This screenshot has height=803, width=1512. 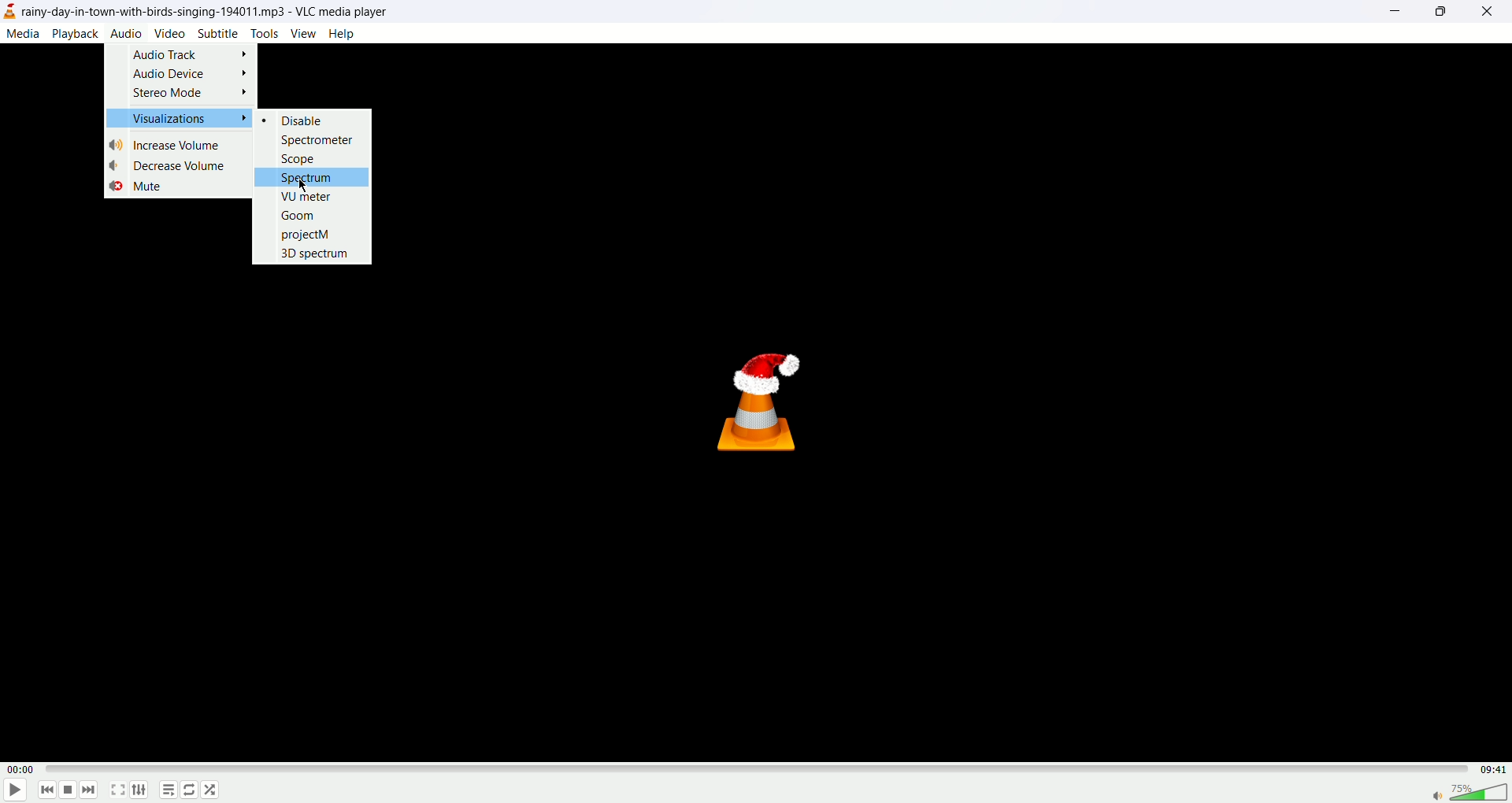 What do you see at coordinates (753, 772) in the screenshot?
I see `progress bar` at bounding box center [753, 772].